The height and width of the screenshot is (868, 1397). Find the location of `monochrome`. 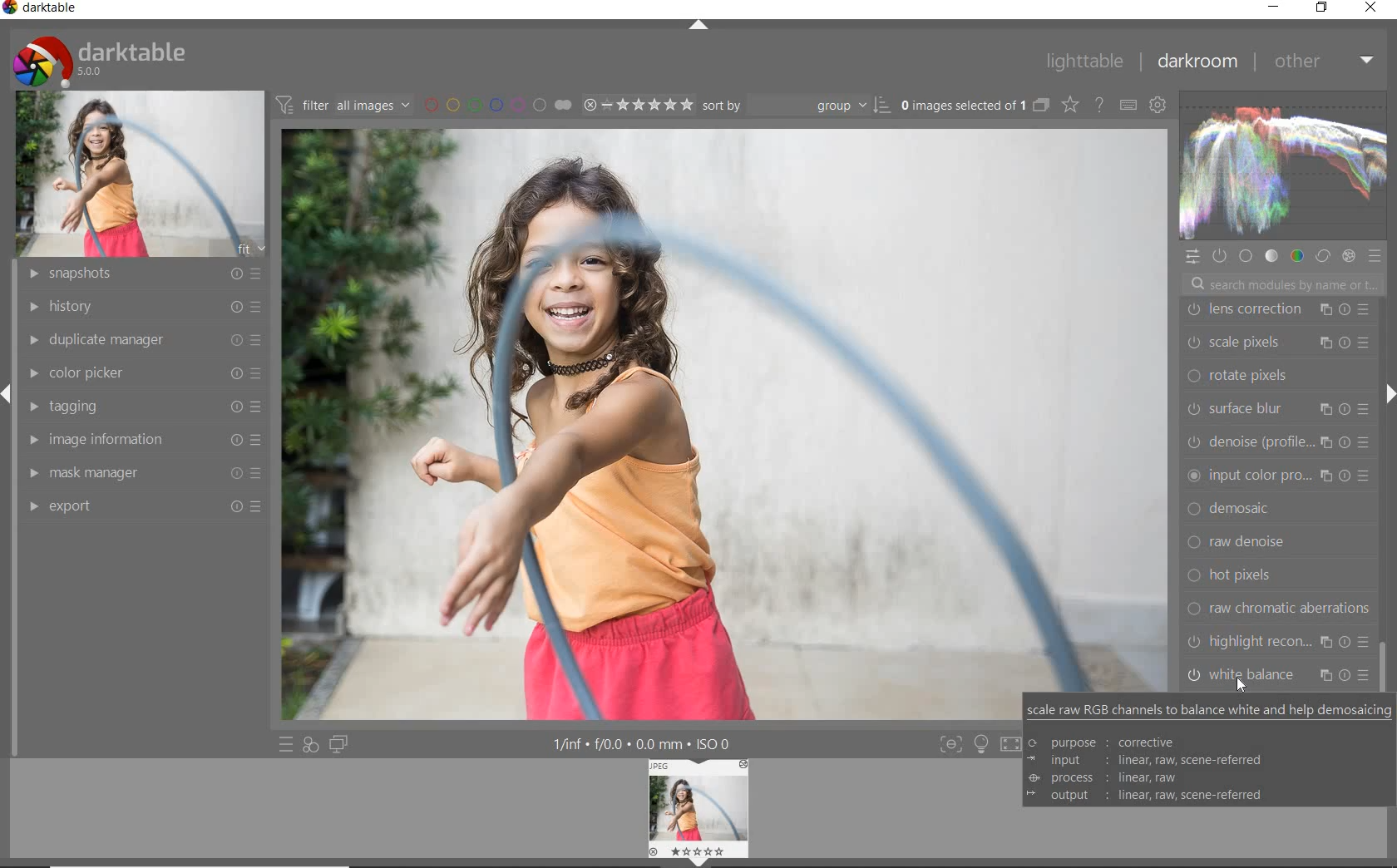

monochrome is located at coordinates (1281, 614).